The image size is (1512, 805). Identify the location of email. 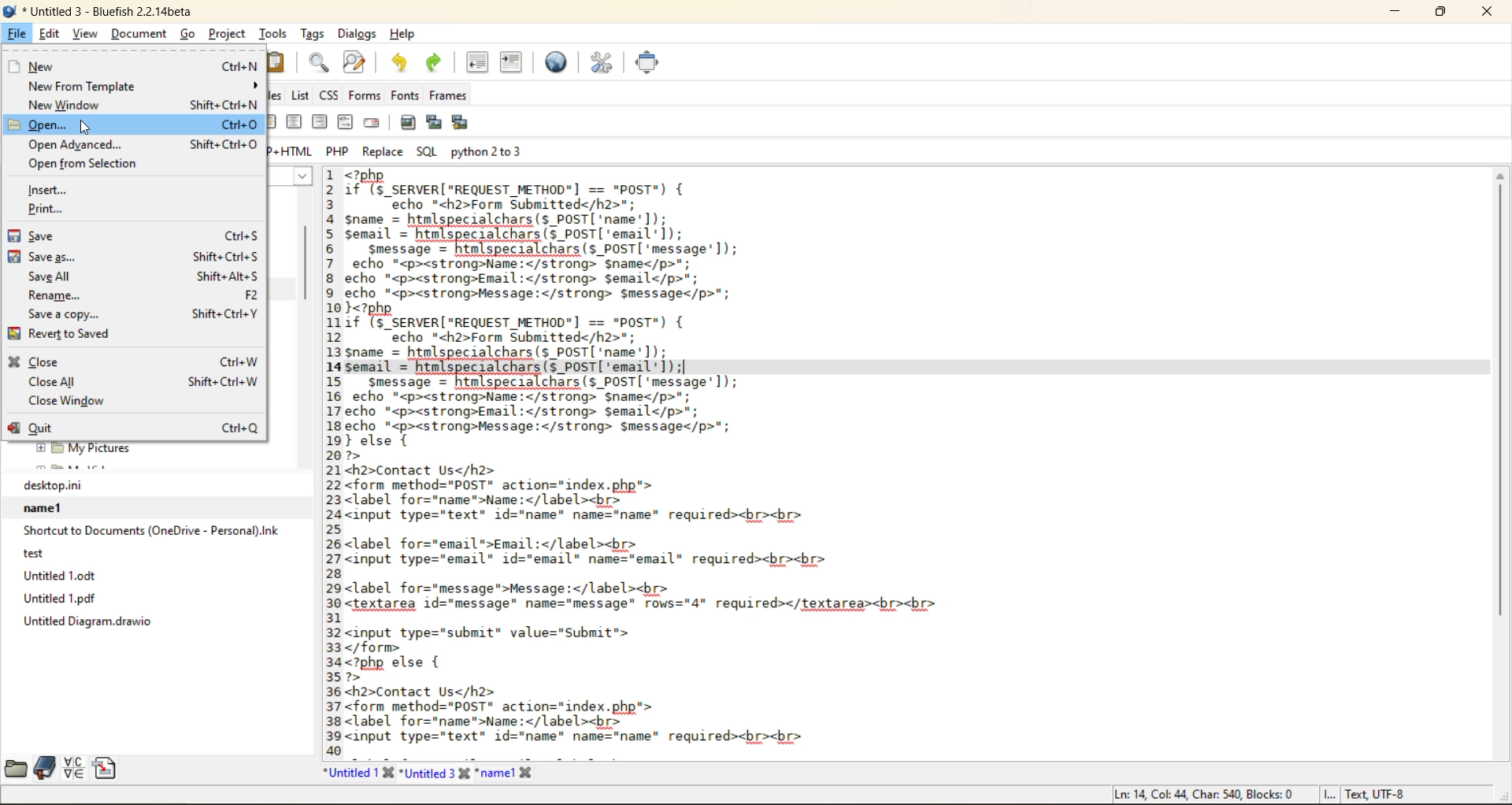
(374, 122).